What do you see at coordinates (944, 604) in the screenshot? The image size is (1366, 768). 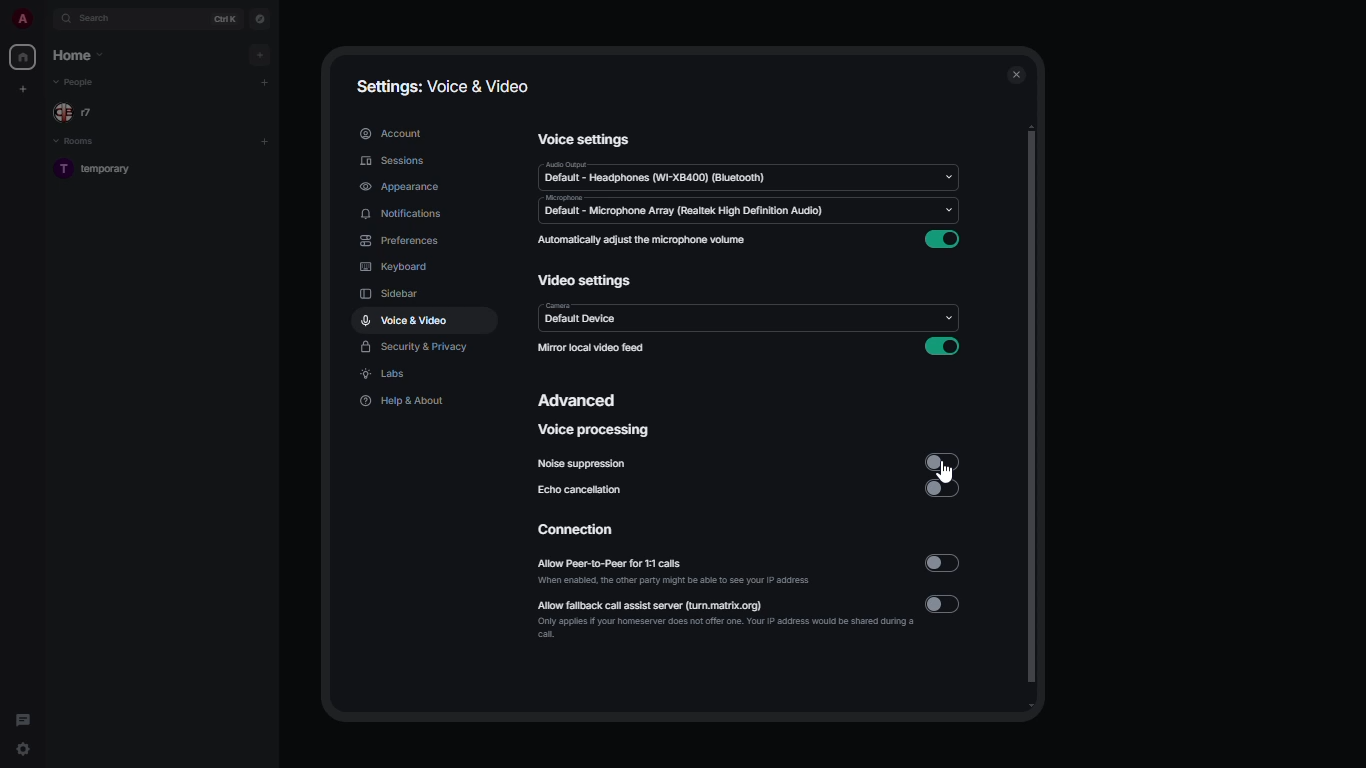 I see `disabled` at bounding box center [944, 604].